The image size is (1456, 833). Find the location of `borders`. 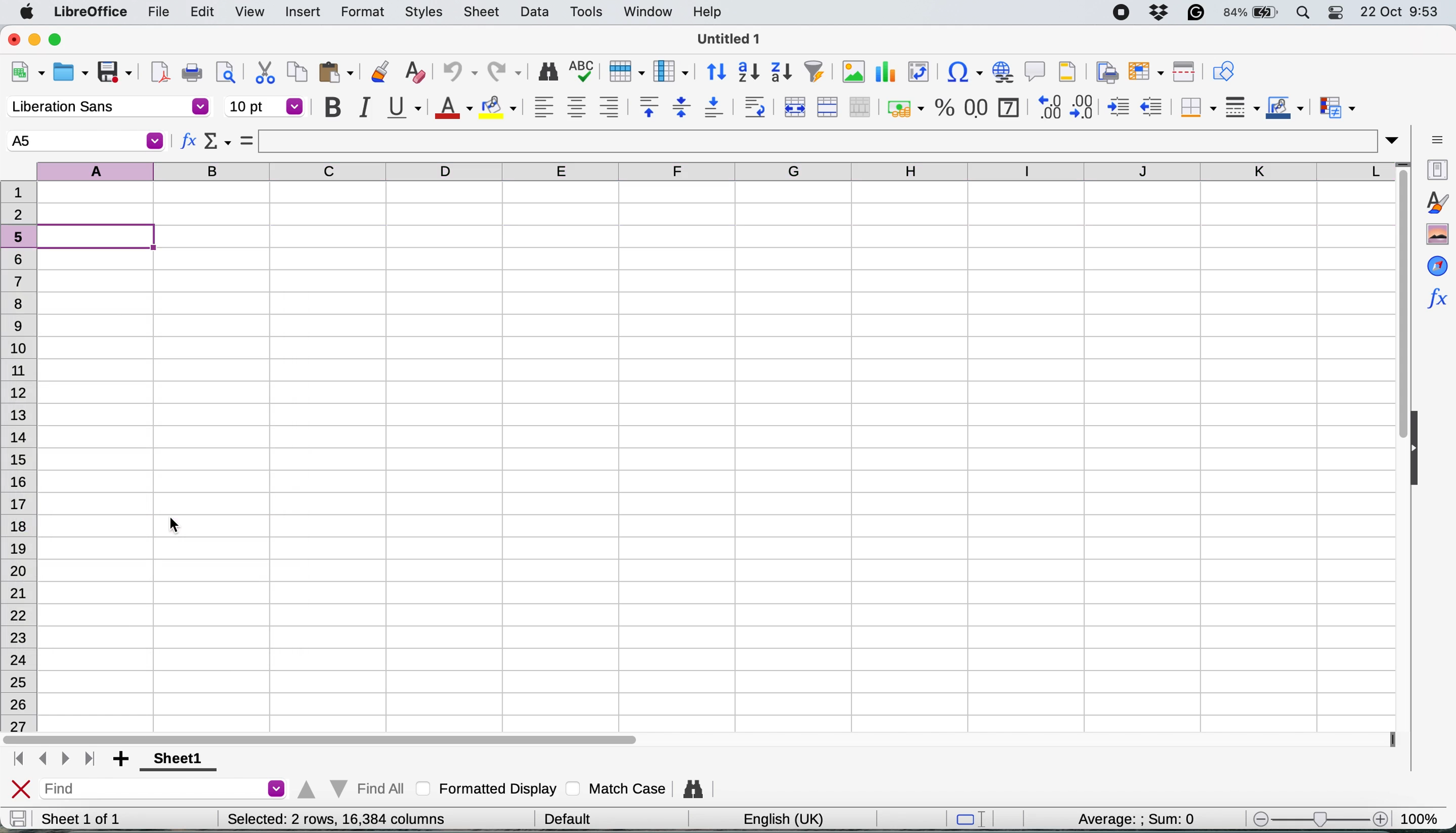

borders is located at coordinates (1196, 108).